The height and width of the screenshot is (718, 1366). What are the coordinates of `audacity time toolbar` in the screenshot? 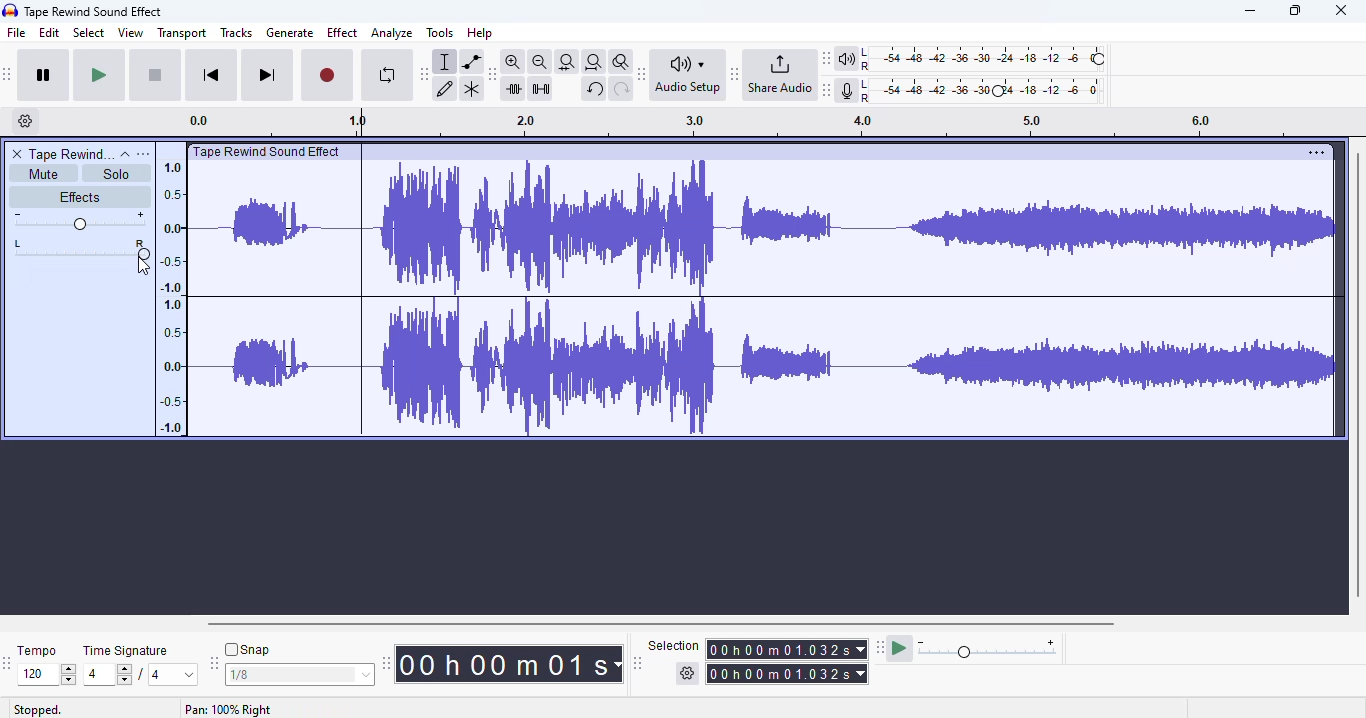 It's located at (386, 663).